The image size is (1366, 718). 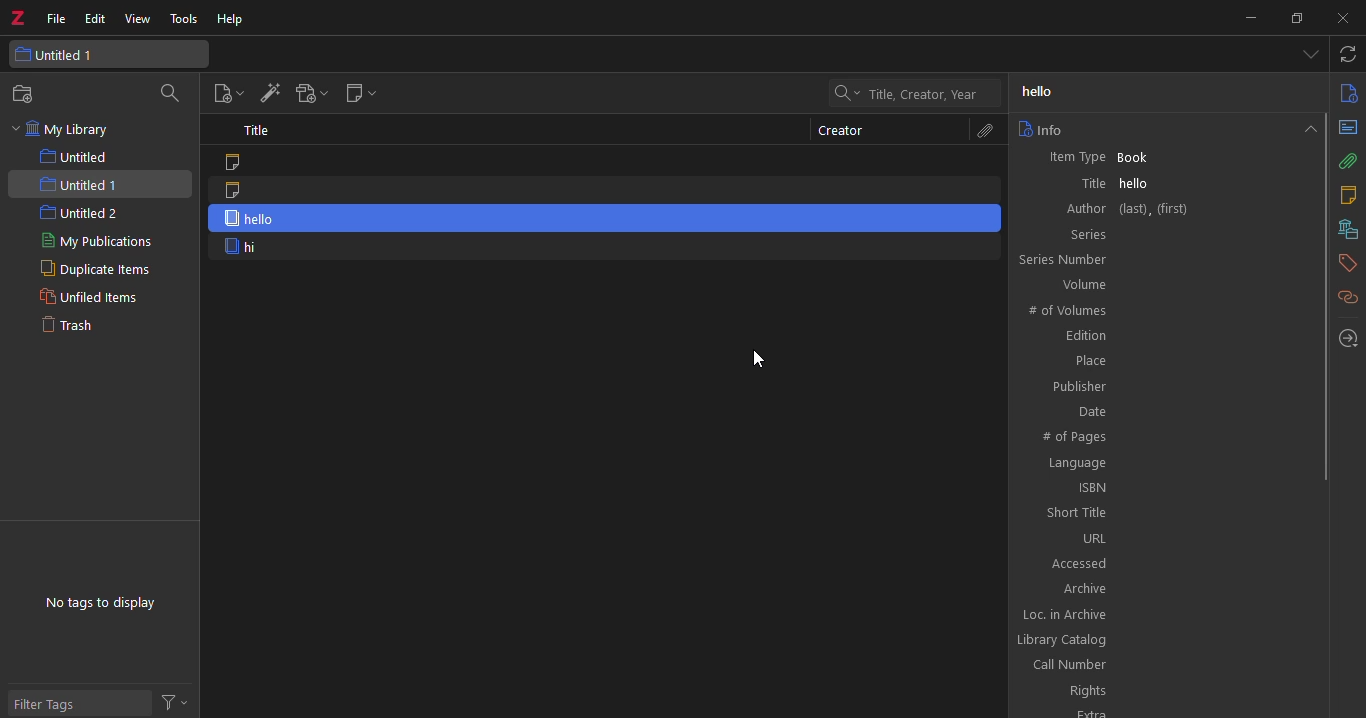 I want to click on new item, so click(x=225, y=94).